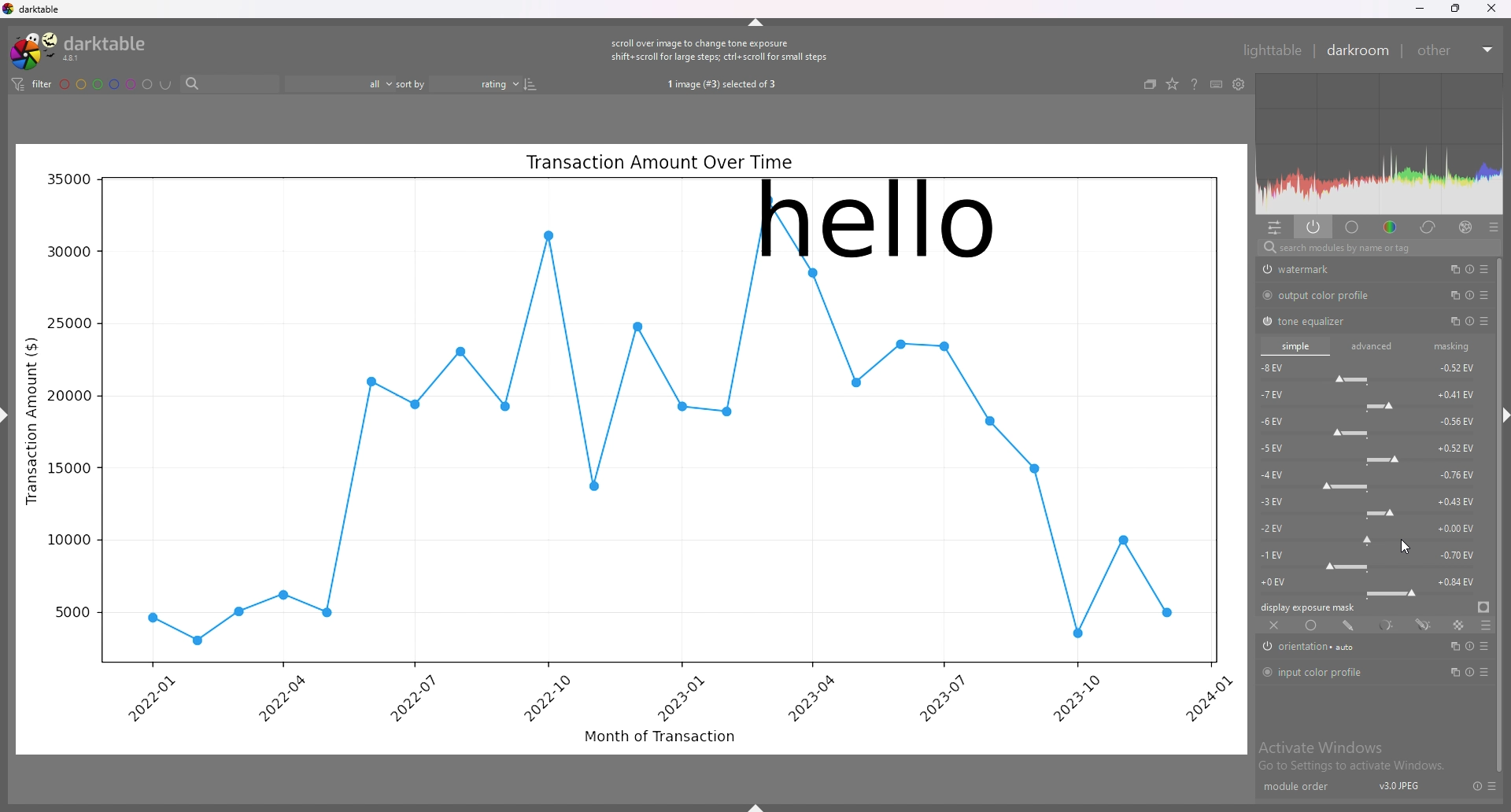  Describe the element at coordinates (475, 83) in the screenshot. I see `sort order` at that location.